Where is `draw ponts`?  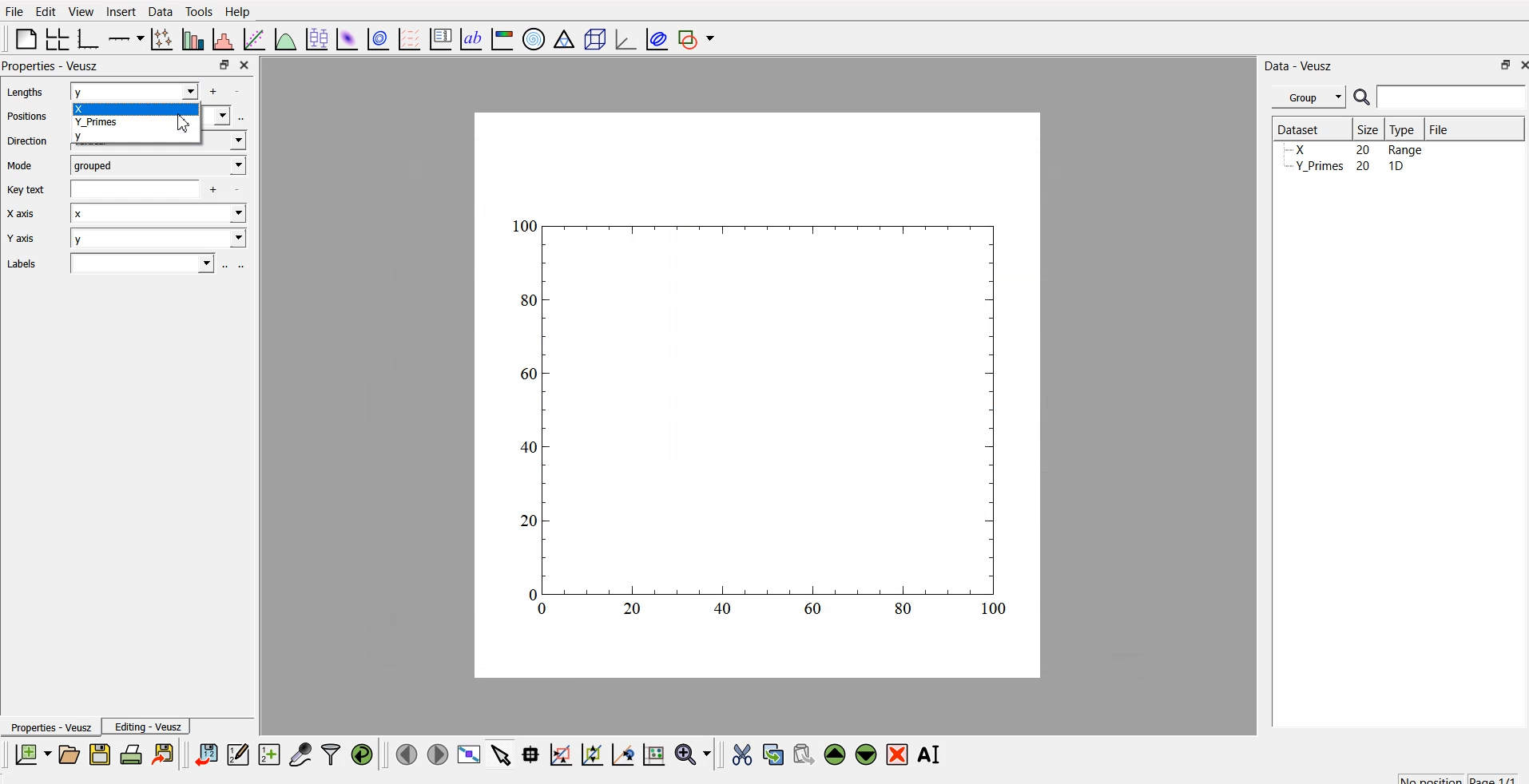 draw ponts is located at coordinates (591, 754).